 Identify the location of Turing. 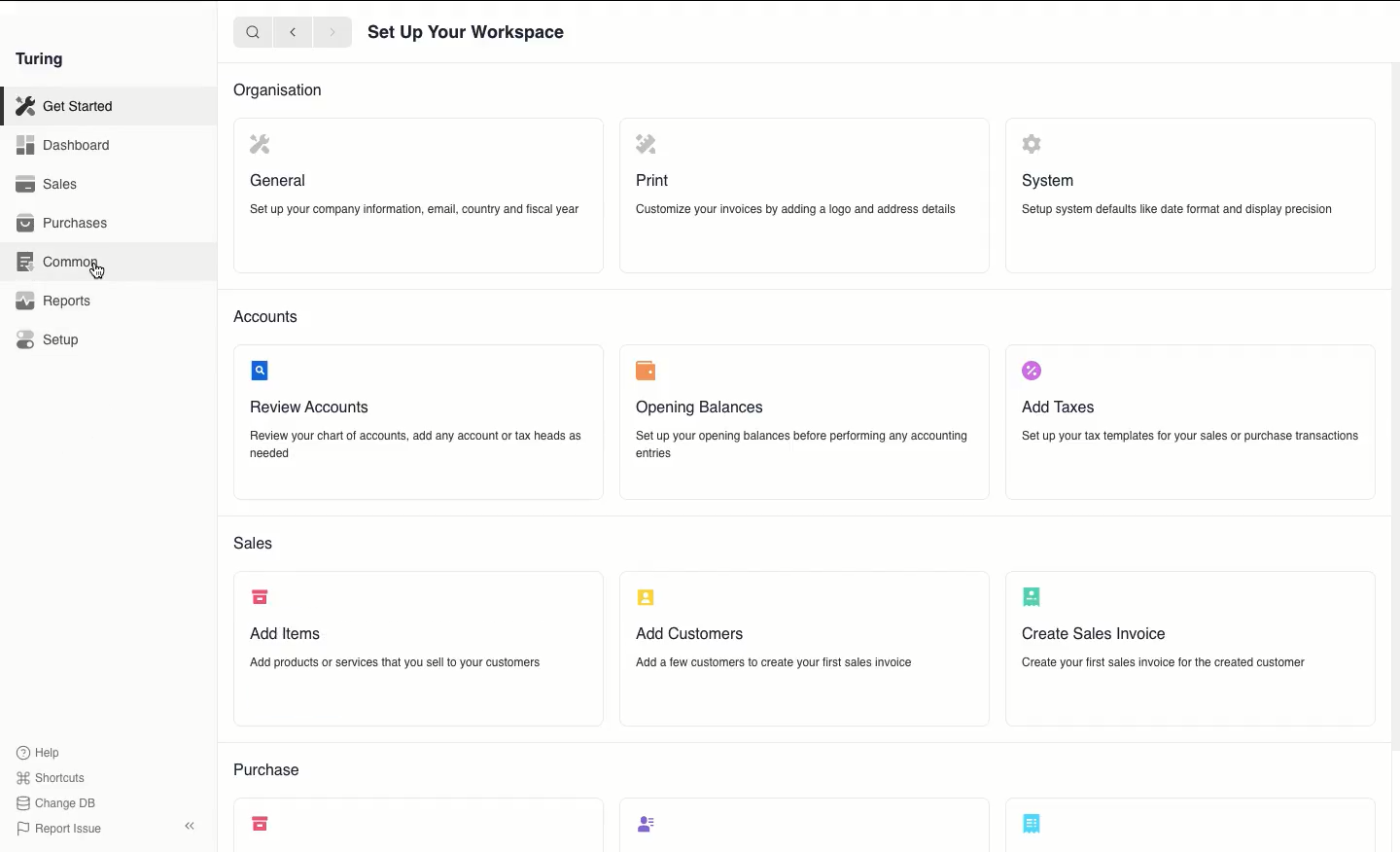
(44, 60).